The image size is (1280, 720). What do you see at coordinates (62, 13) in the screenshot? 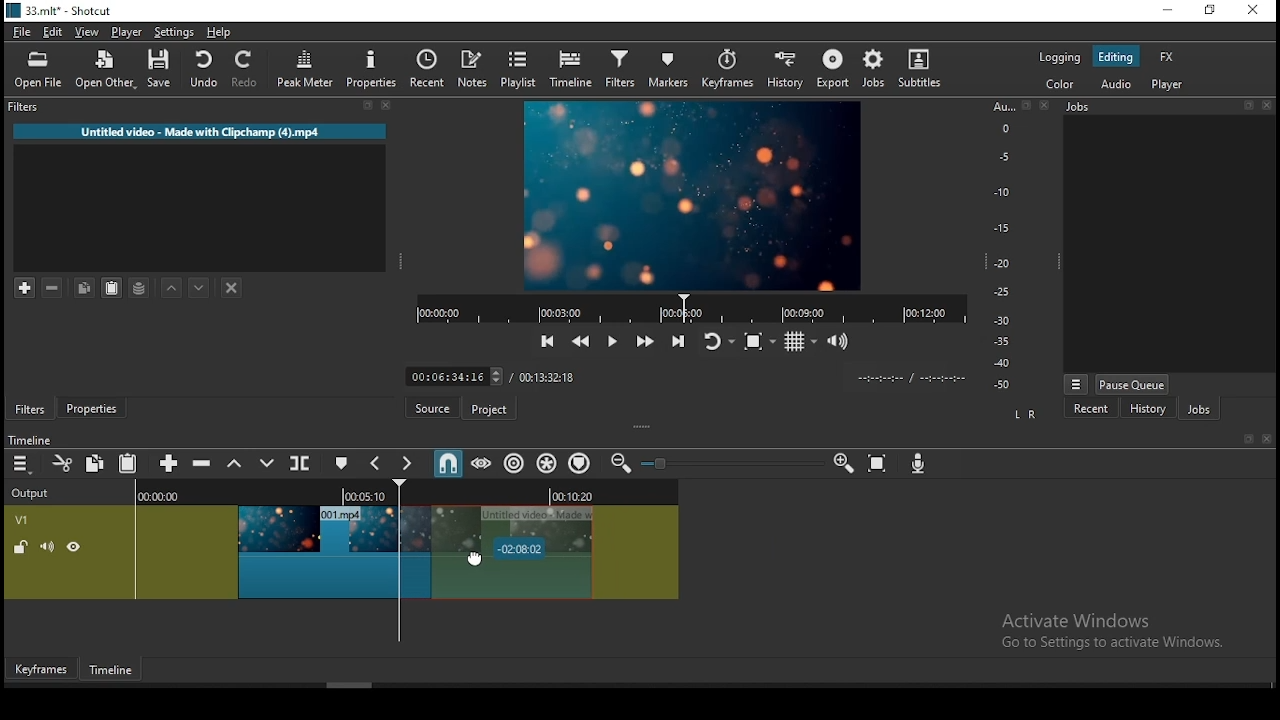
I see `icon and file name` at bounding box center [62, 13].